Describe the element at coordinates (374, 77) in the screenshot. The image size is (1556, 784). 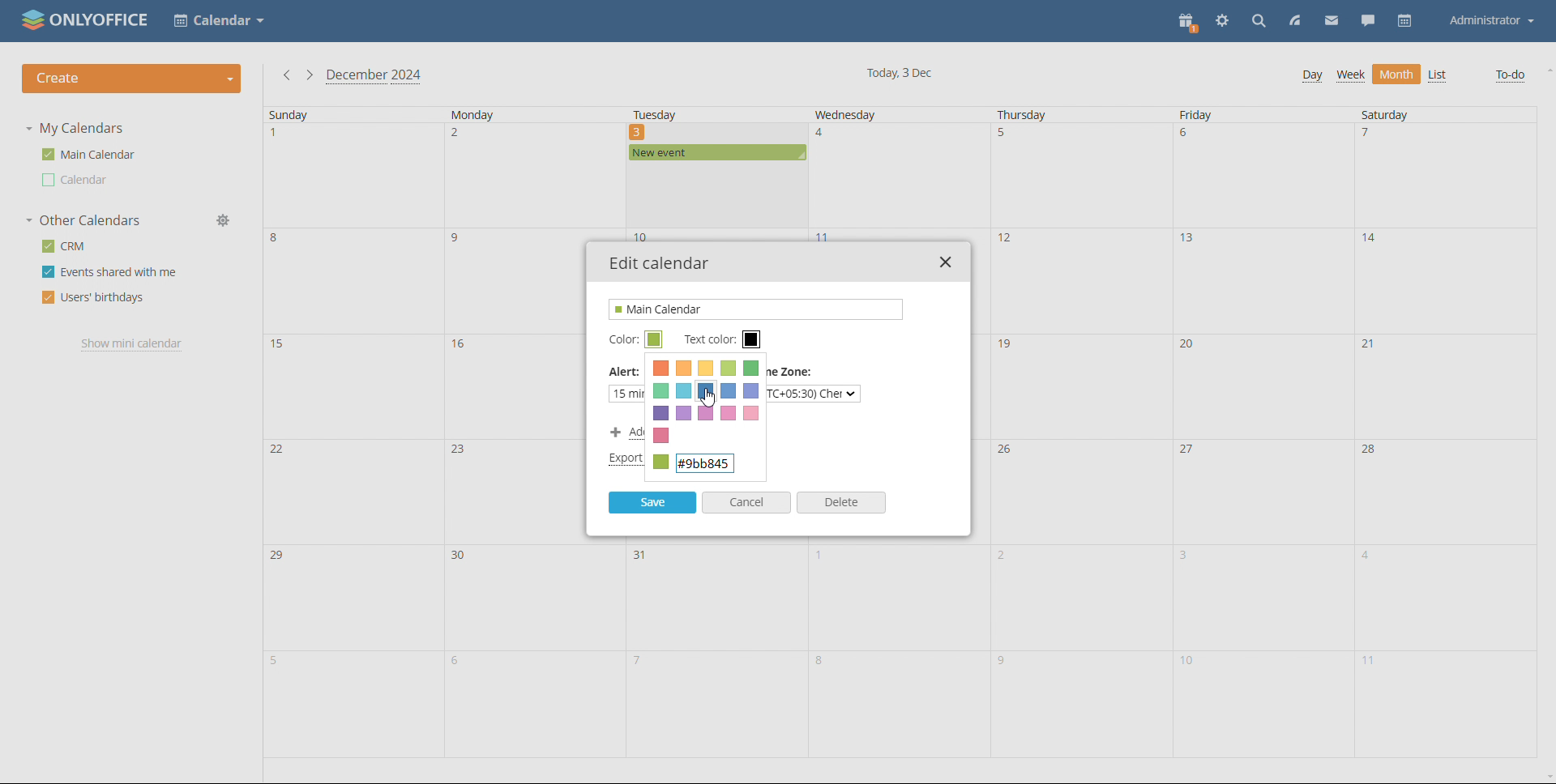
I see `current month` at that location.